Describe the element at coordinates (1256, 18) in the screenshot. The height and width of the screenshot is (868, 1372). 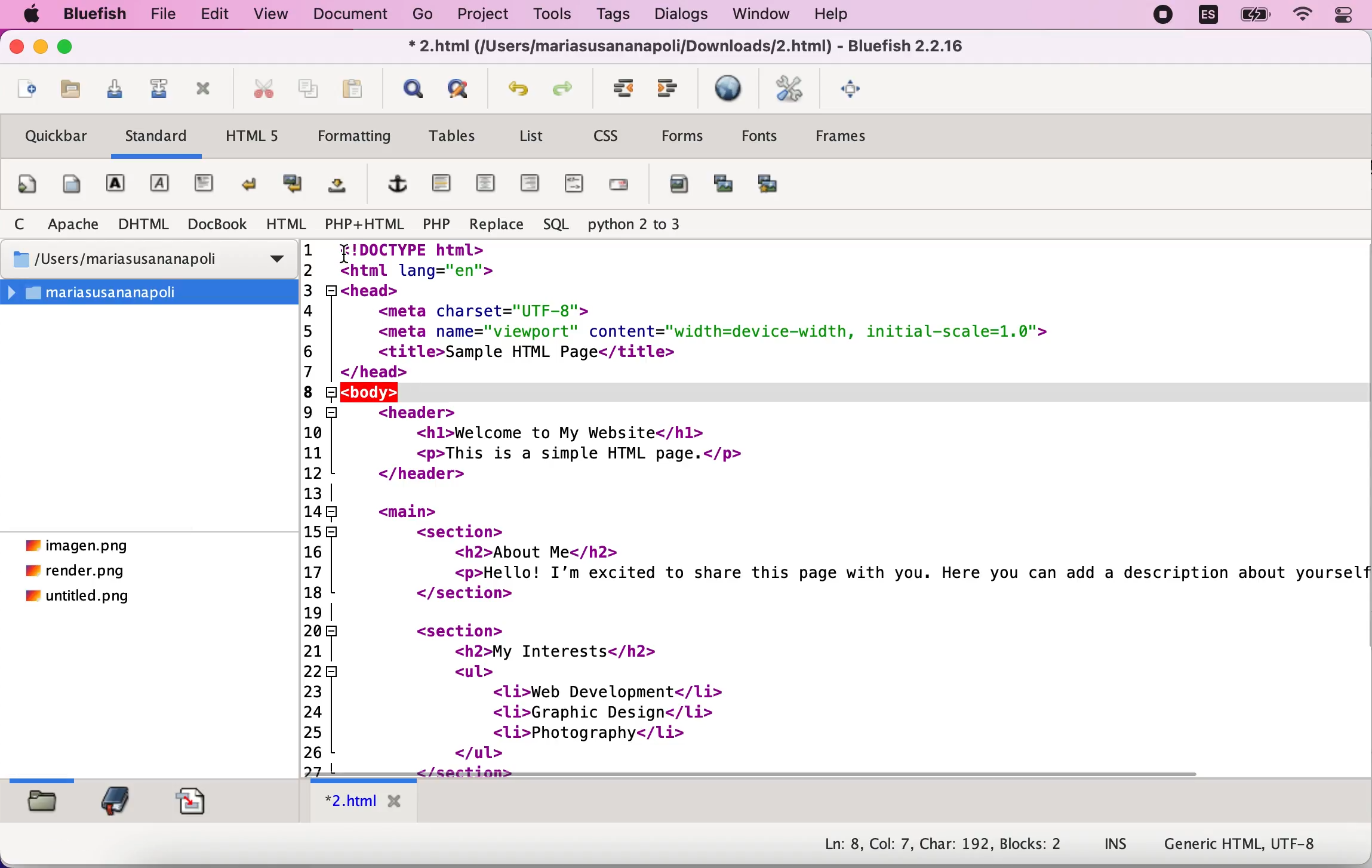
I see `battery` at that location.